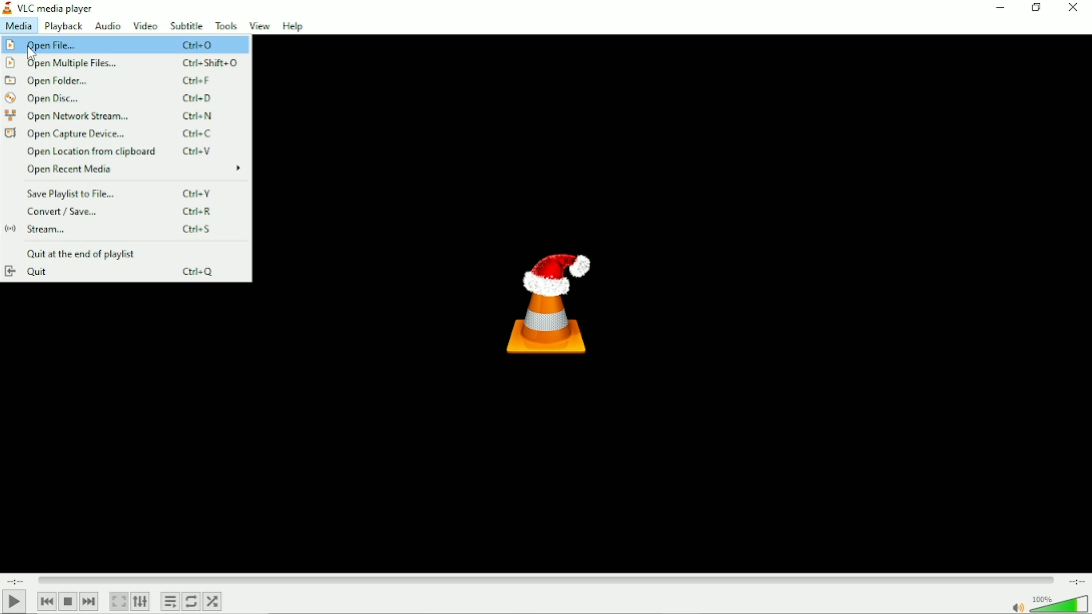 This screenshot has width=1092, height=614. Describe the element at coordinates (213, 603) in the screenshot. I see `Random` at that location.